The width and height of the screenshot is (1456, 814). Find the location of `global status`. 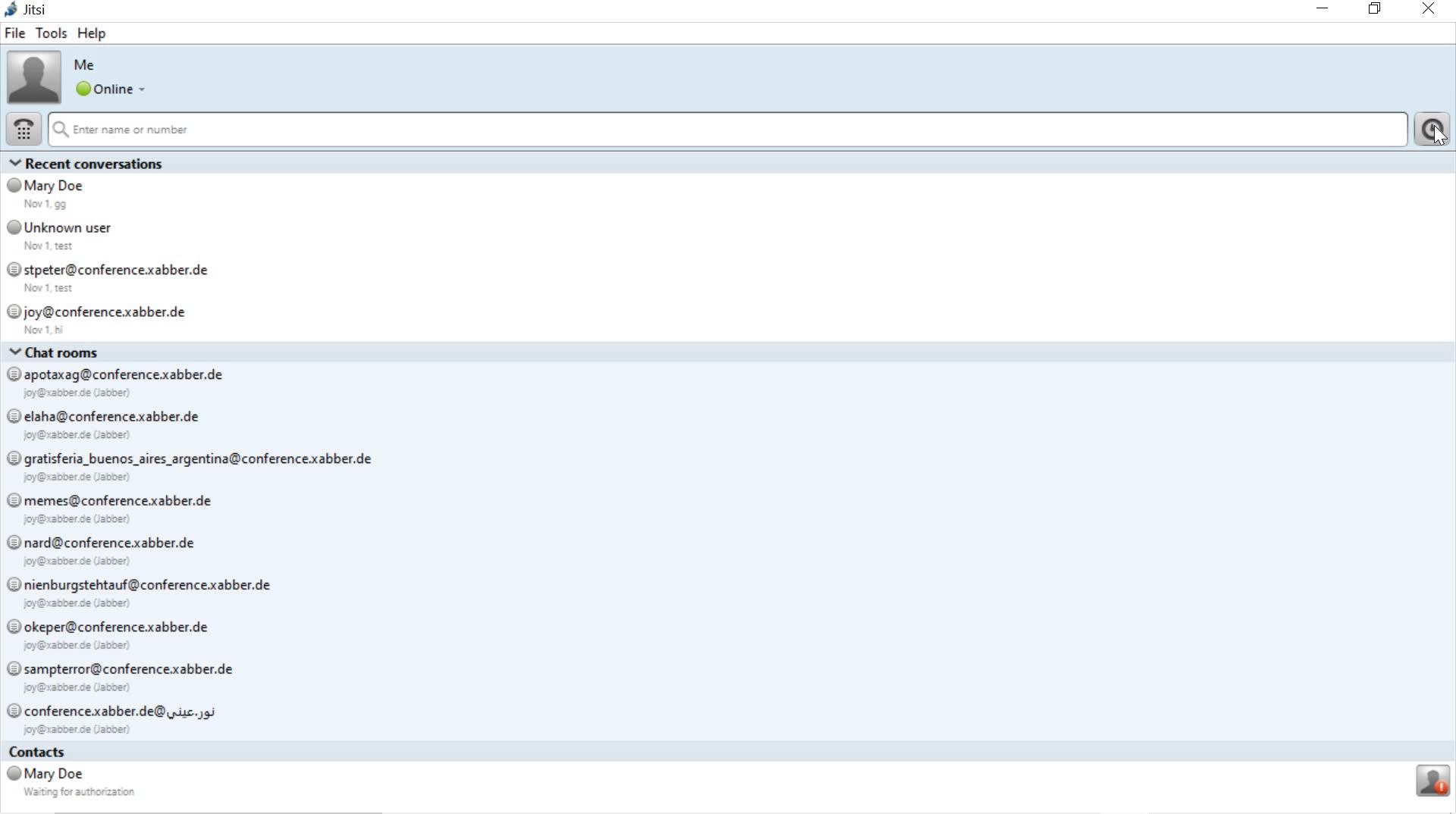

global status is located at coordinates (114, 91).